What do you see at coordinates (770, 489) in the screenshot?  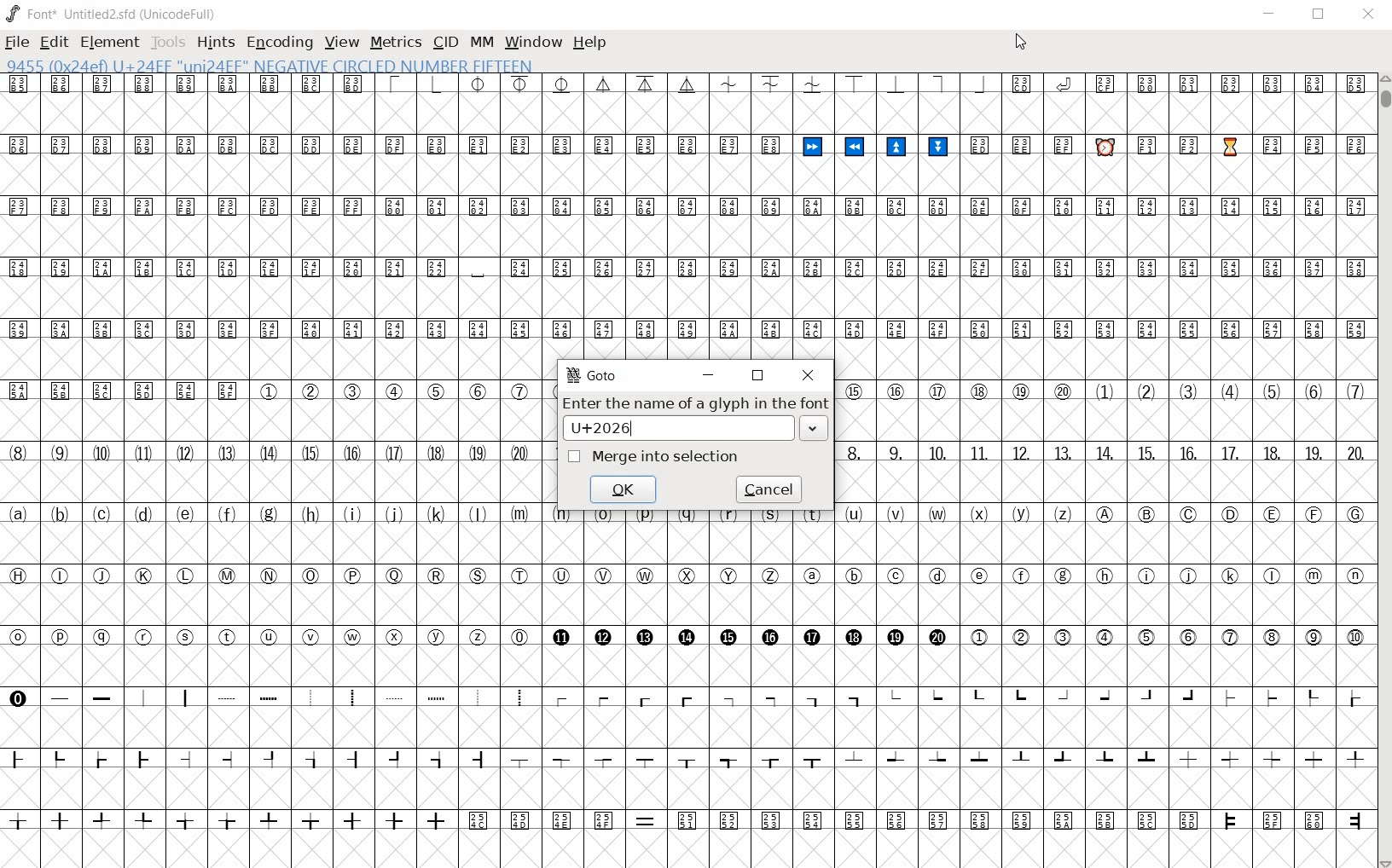 I see `cancel` at bounding box center [770, 489].